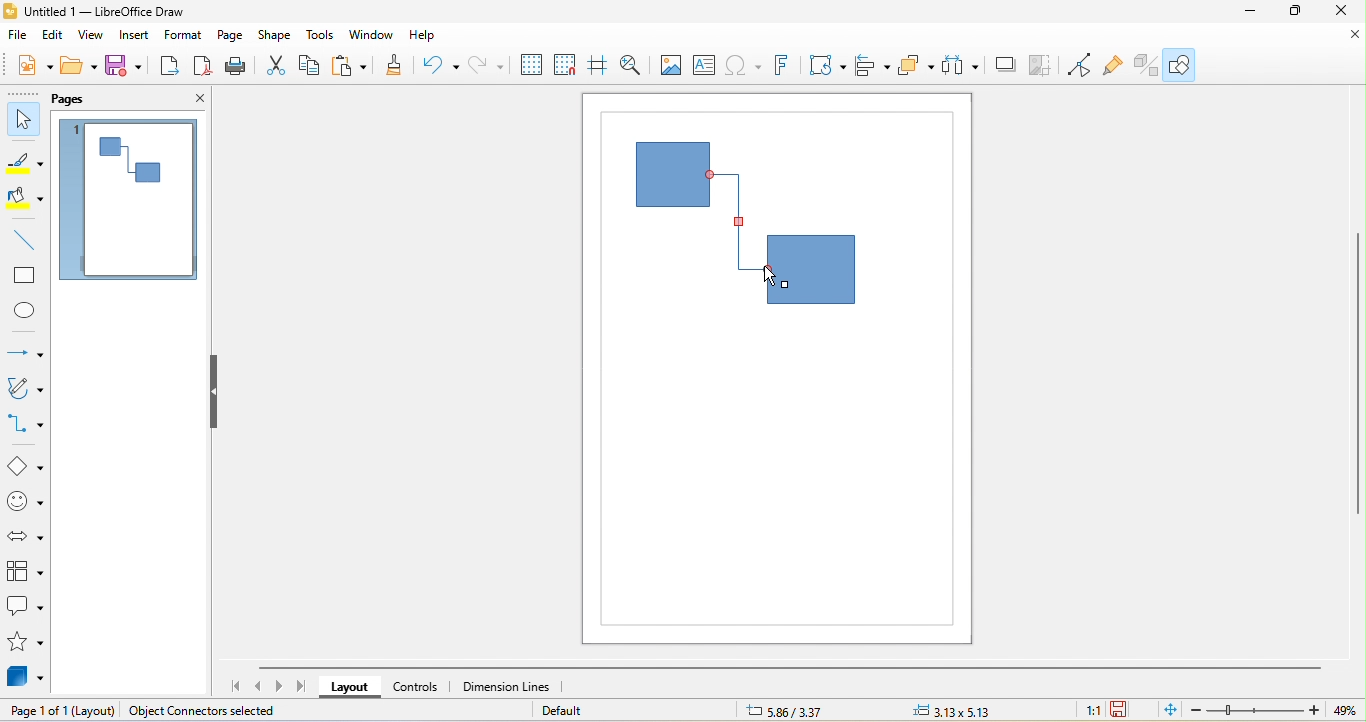  Describe the element at coordinates (730, 225) in the screenshot. I see `selected connectors` at that location.